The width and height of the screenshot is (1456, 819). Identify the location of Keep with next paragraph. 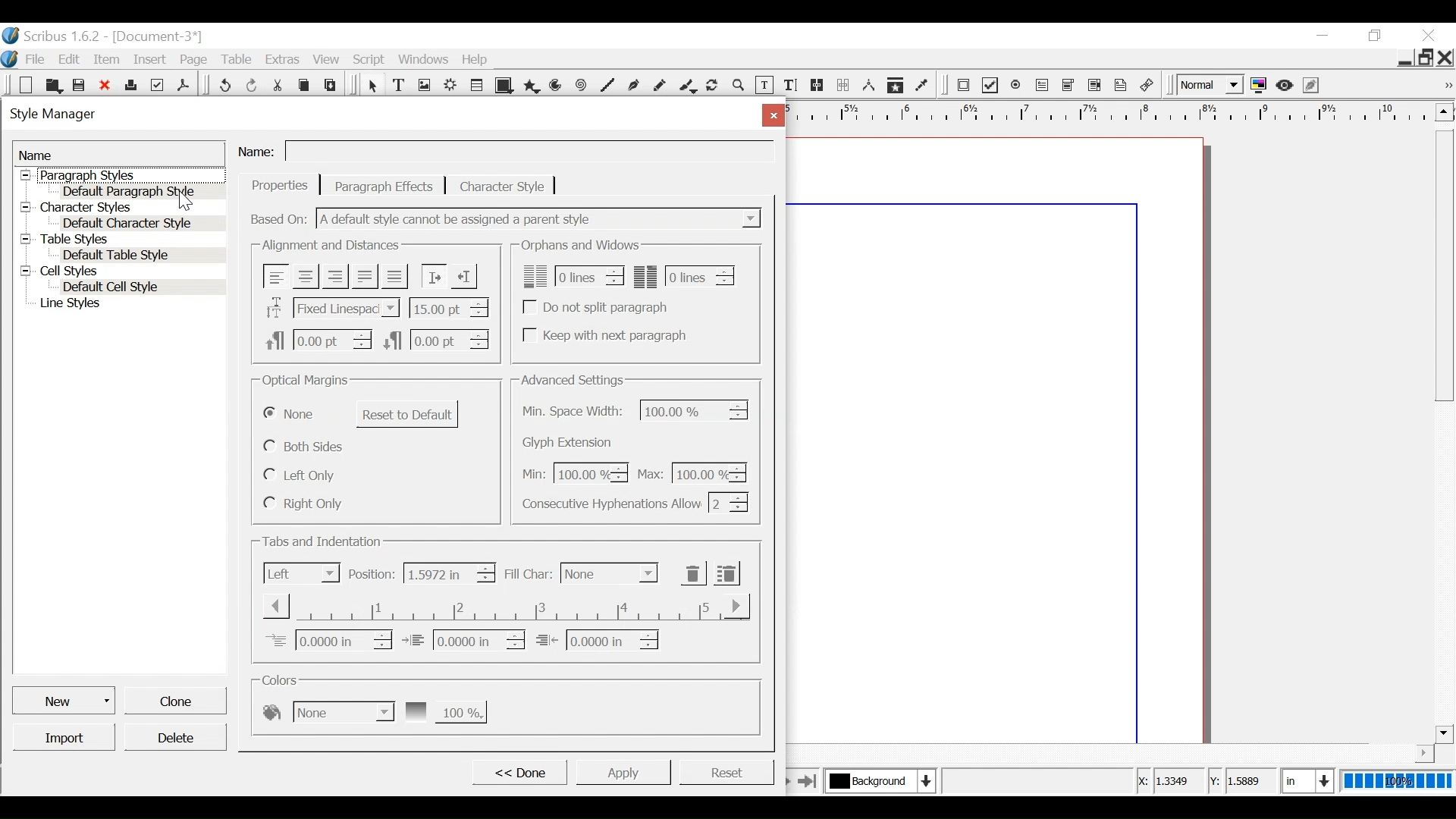
(603, 334).